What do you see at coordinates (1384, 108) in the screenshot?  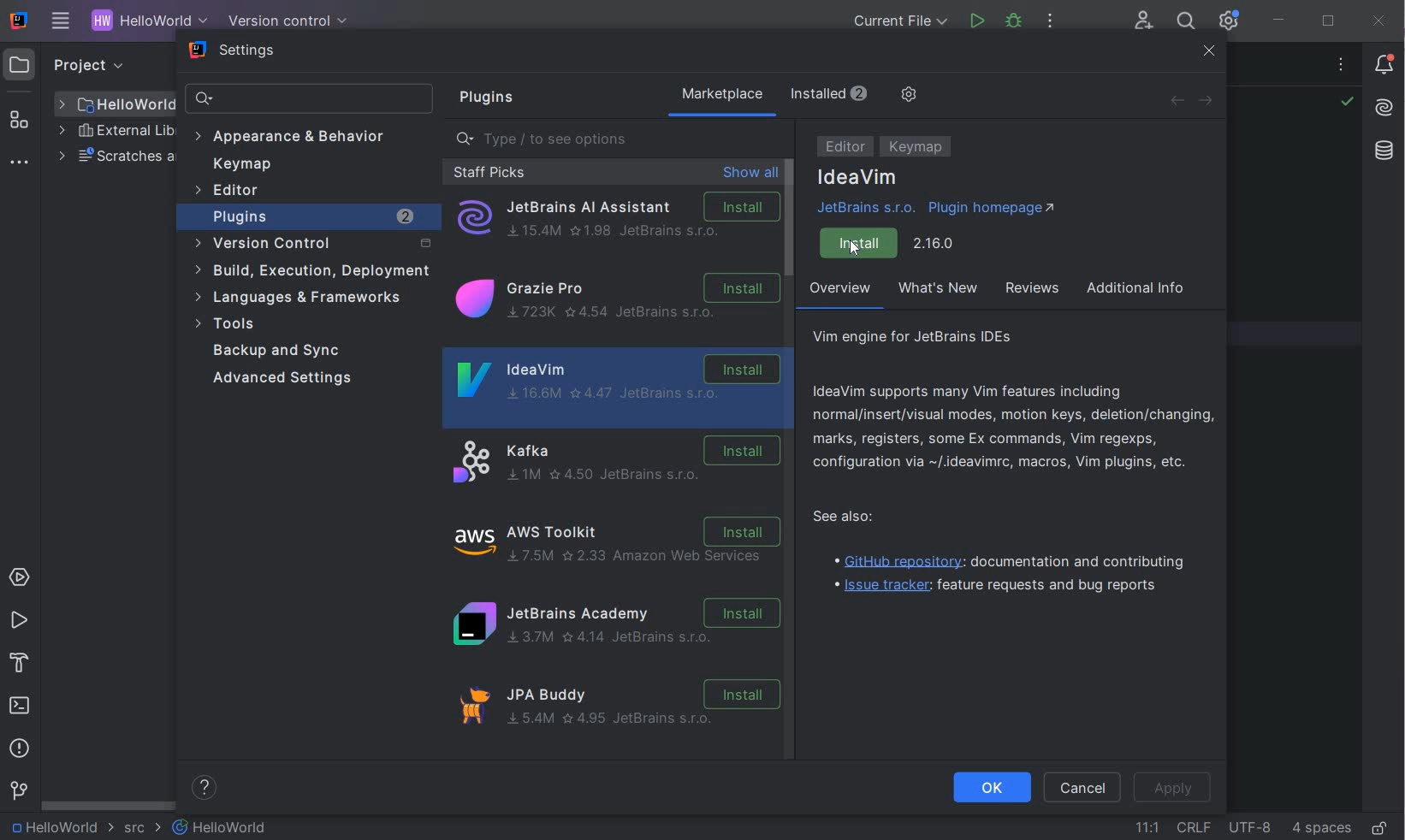 I see `AI Assistant` at bounding box center [1384, 108].